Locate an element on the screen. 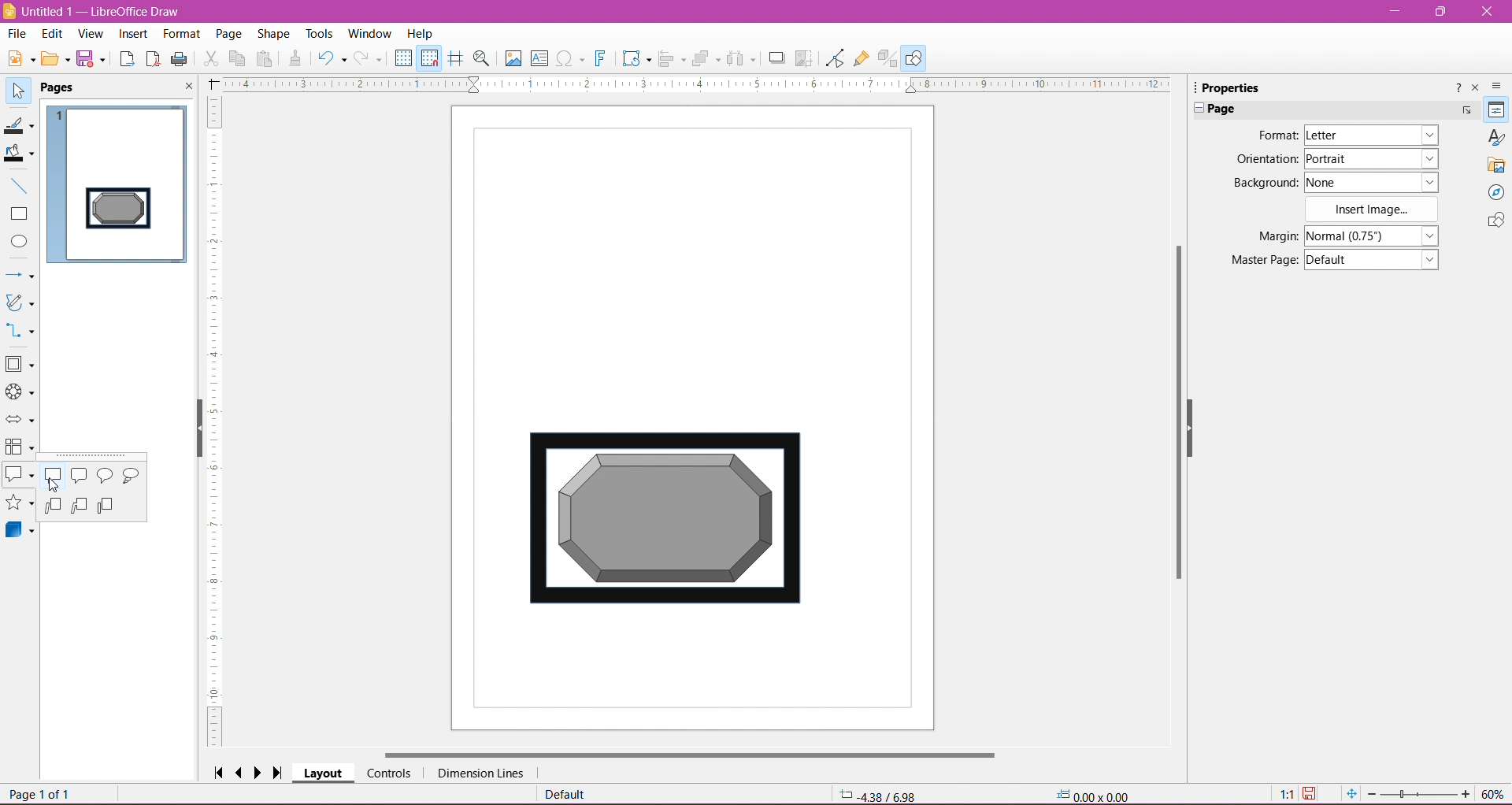 Image resolution: width=1512 pixels, height=805 pixels. 0.00x0.00 is located at coordinates (1097, 795).